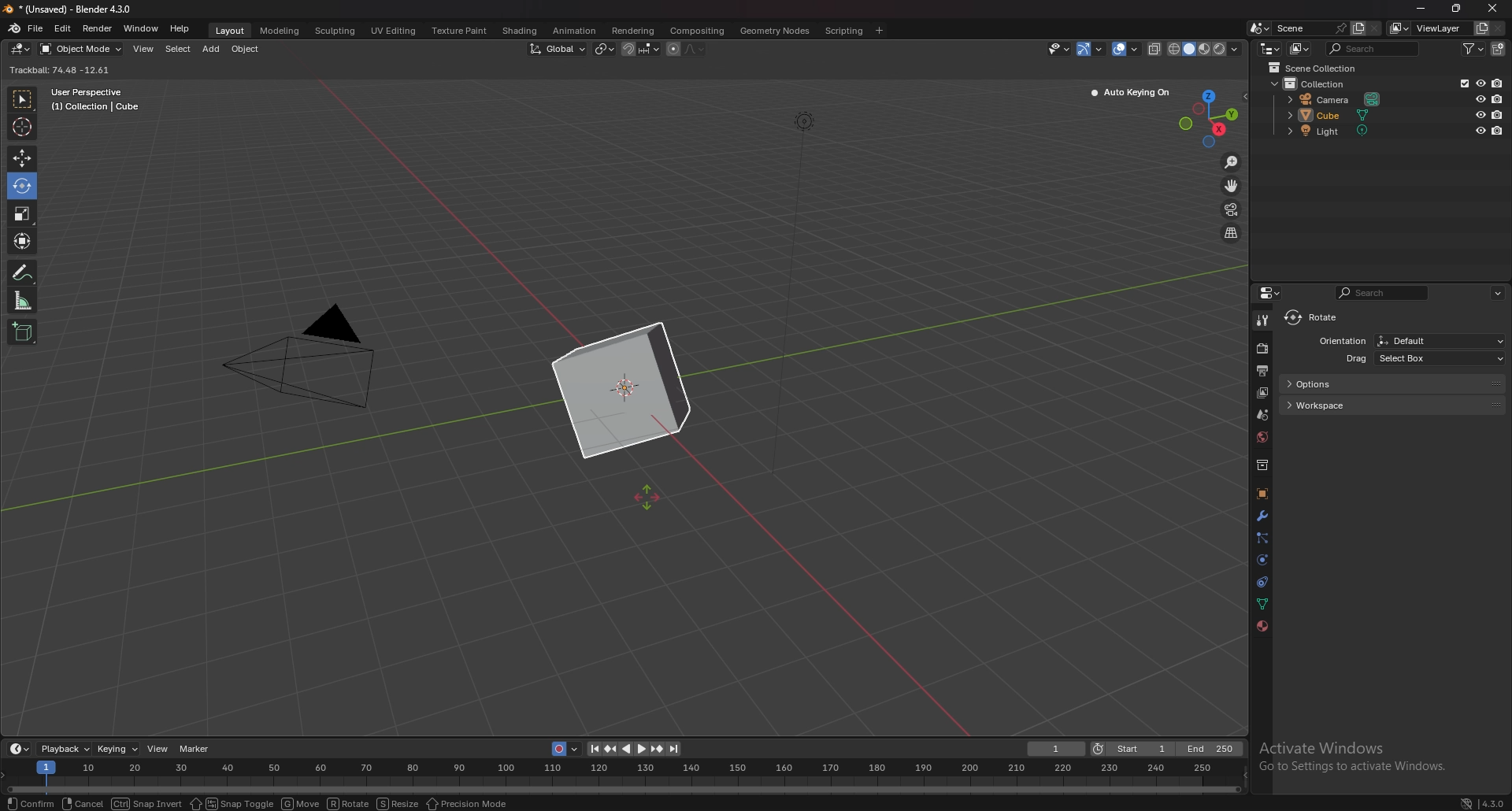  I want to click on view, so click(144, 49).